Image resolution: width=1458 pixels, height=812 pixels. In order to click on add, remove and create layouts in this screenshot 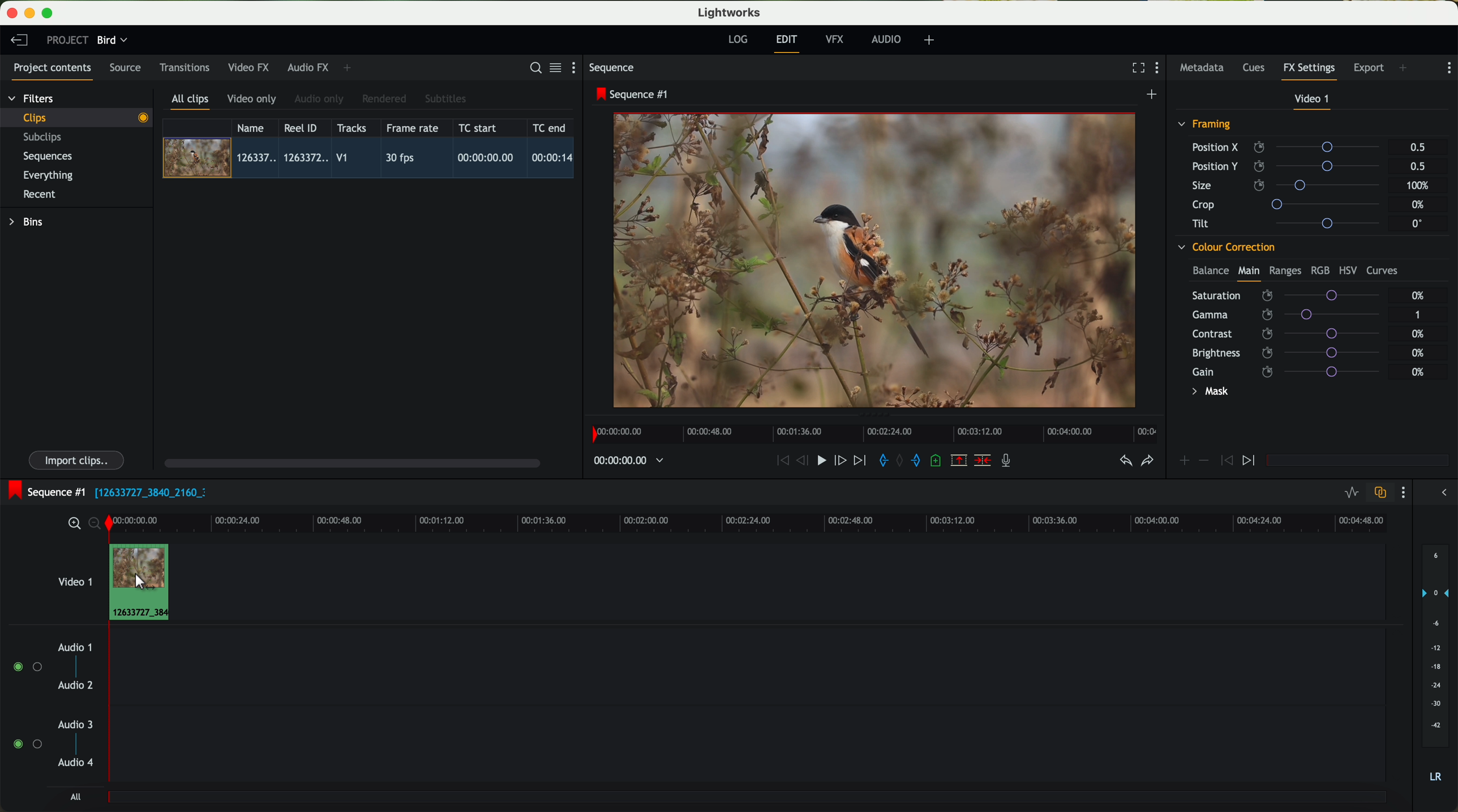, I will do `click(931, 40)`.